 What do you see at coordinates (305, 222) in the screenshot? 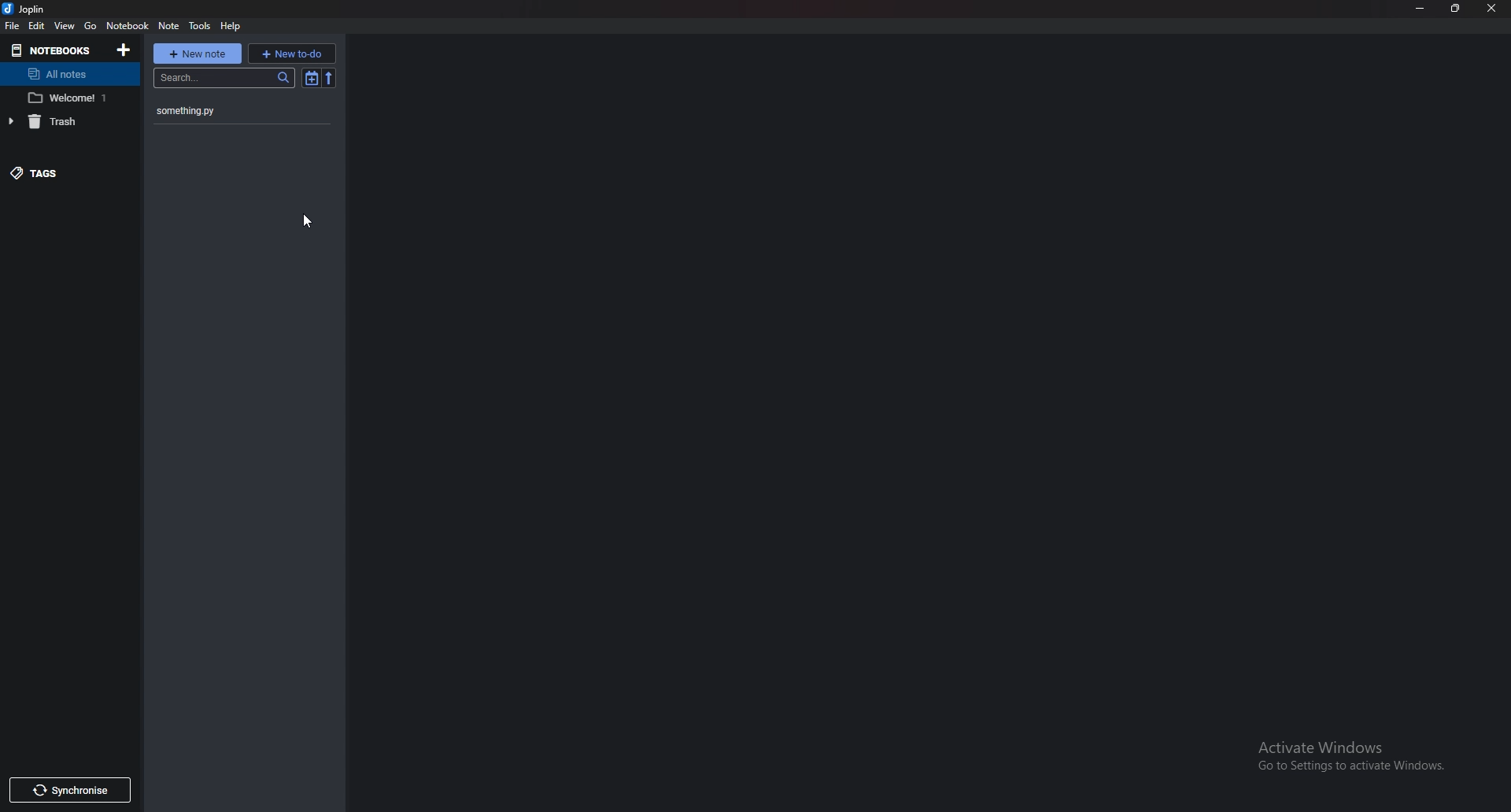
I see `Cursor` at bounding box center [305, 222].